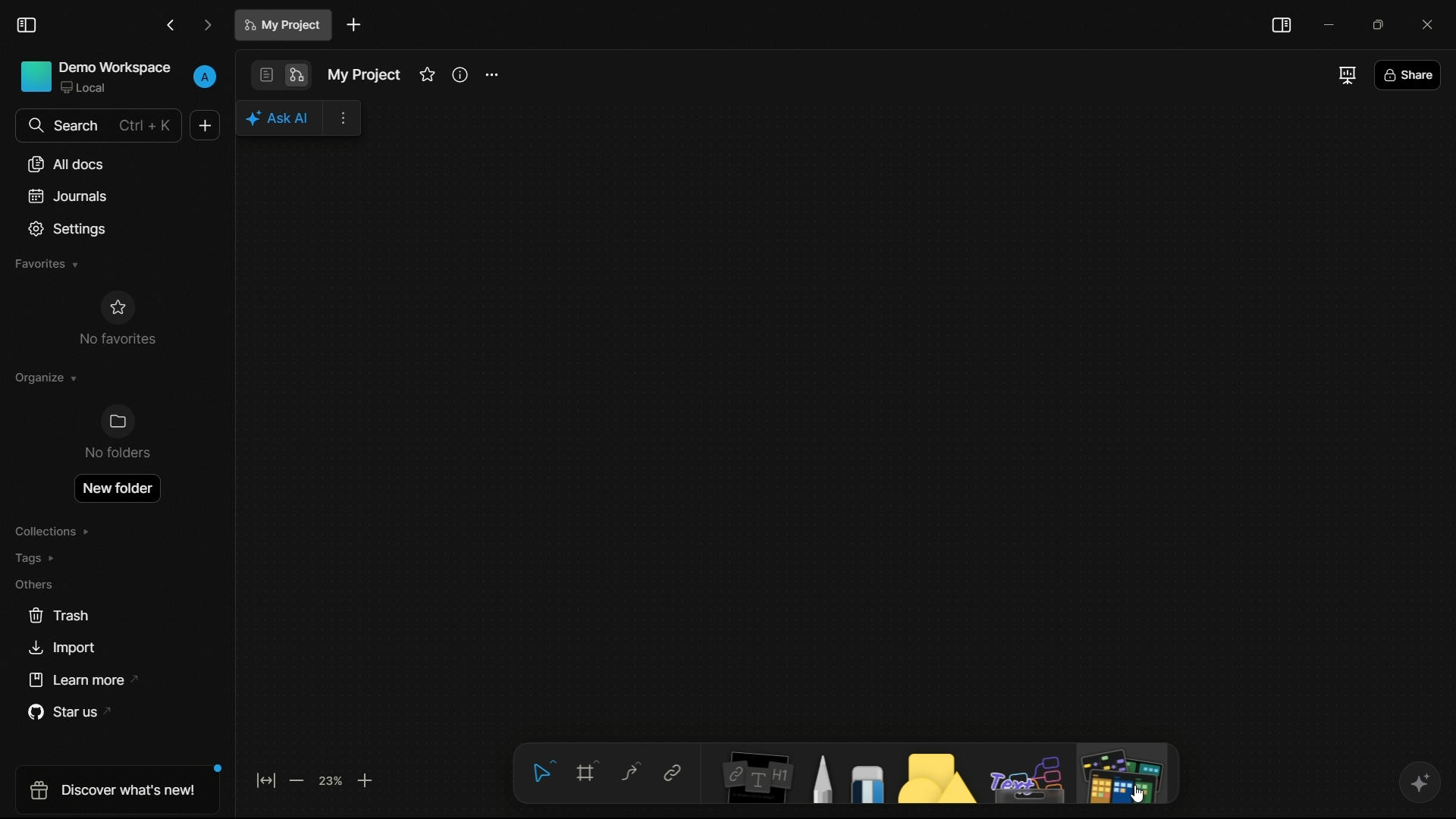 Image resolution: width=1456 pixels, height=819 pixels. Describe the element at coordinates (460, 74) in the screenshot. I see `informations` at that location.